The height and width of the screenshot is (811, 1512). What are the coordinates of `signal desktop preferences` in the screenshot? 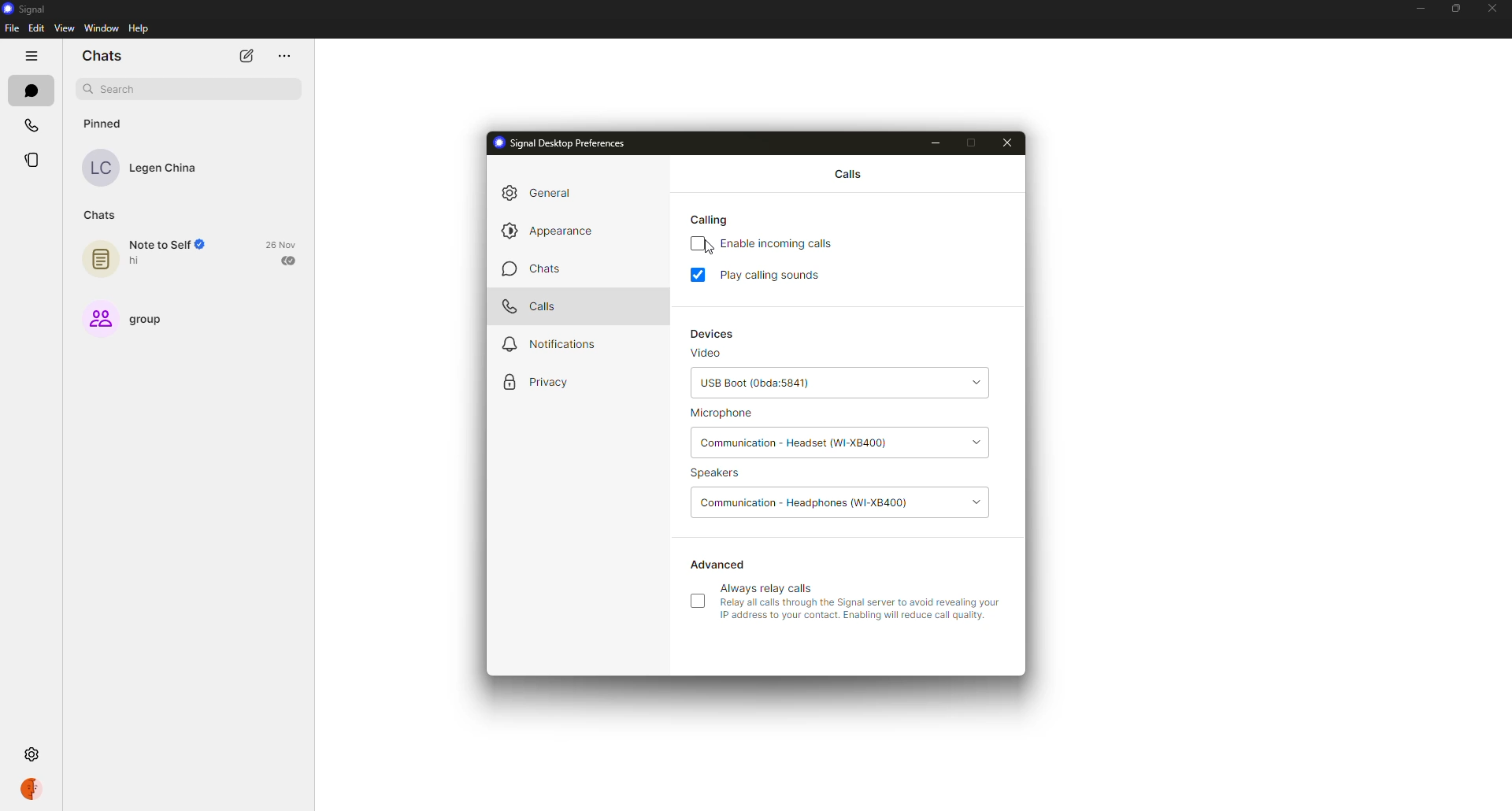 It's located at (563, 143).